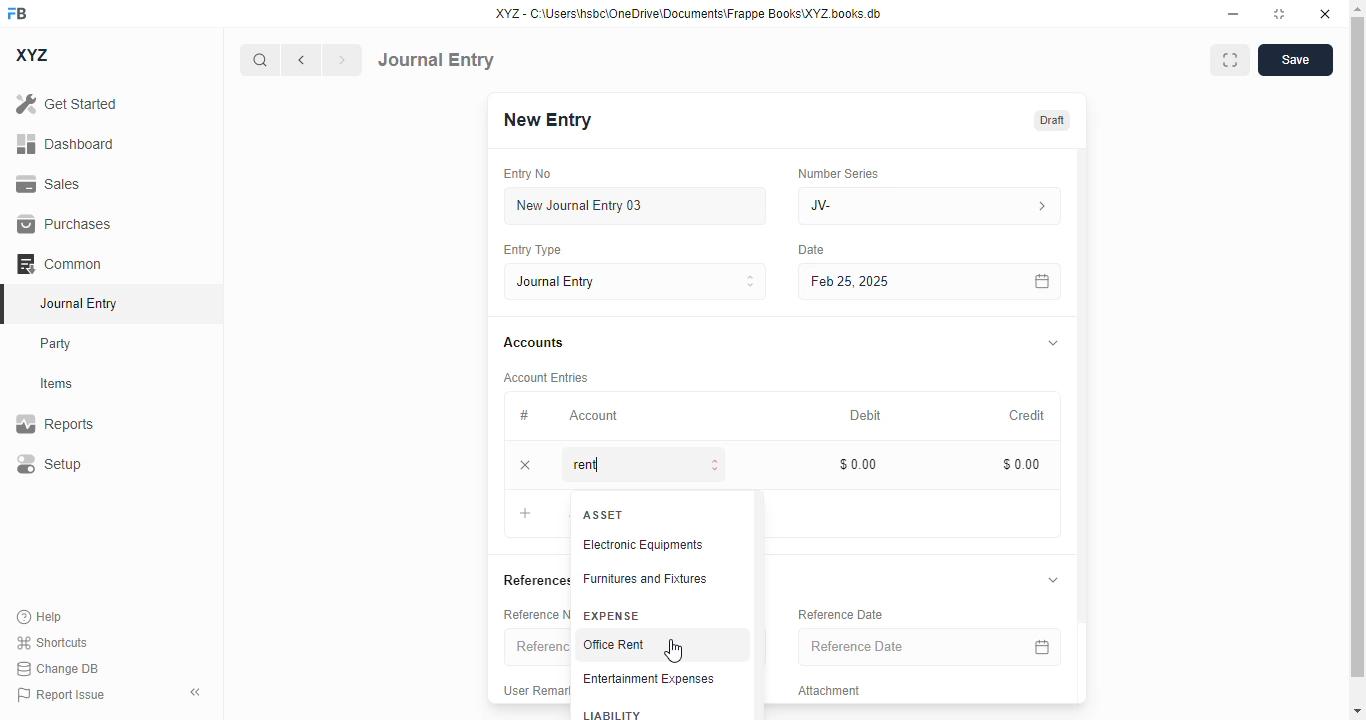  I want to click on remove, so click(526, 465).